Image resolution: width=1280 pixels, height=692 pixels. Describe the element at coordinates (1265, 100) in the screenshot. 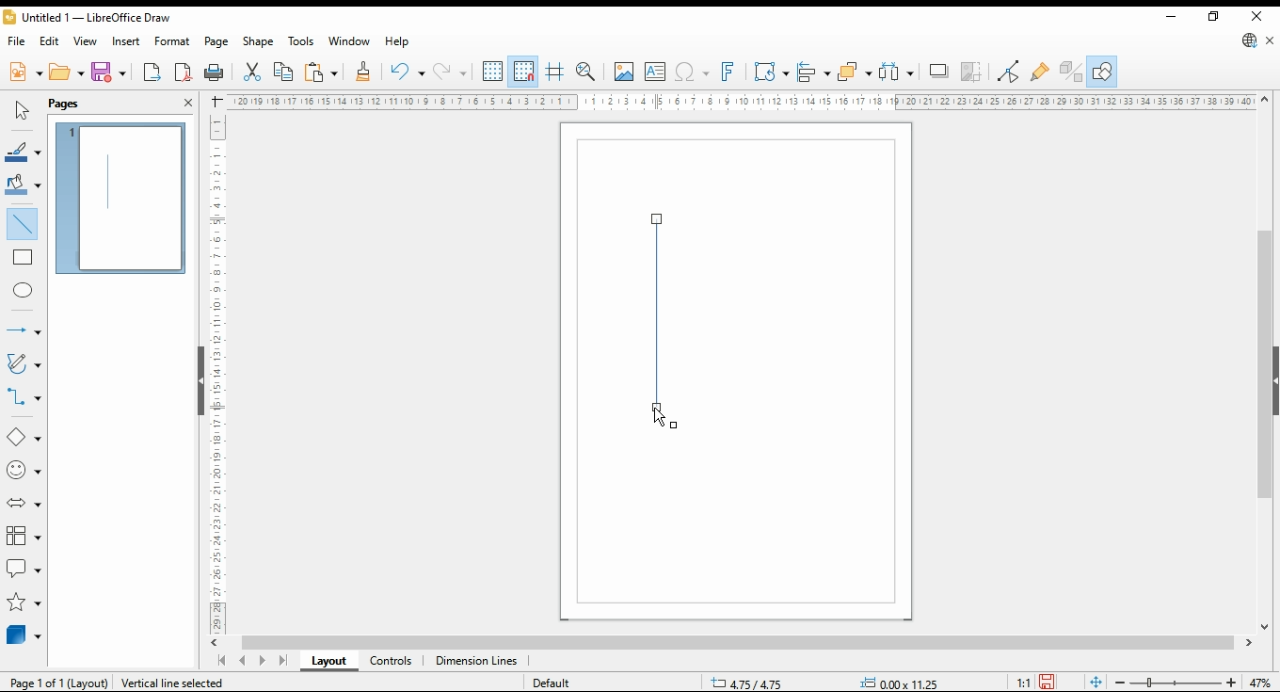

I see `move up` at that location.